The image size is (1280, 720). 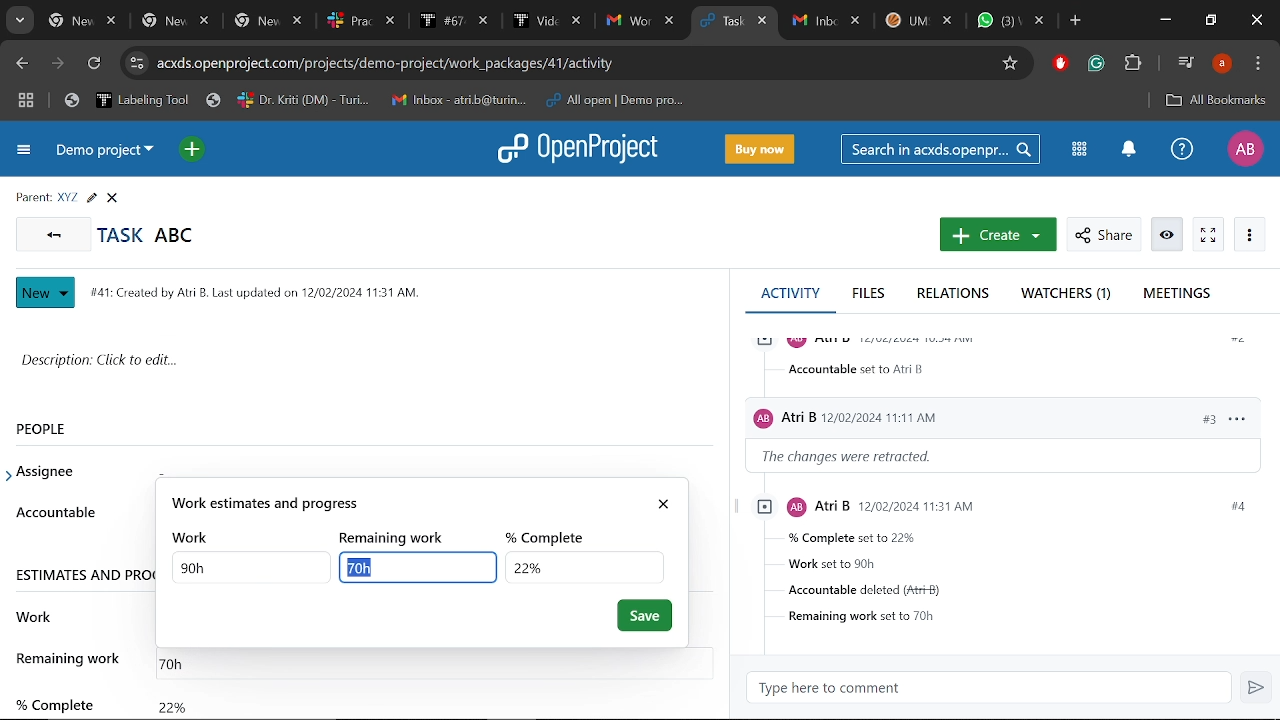 What do you see at coordinates (725, 436) in the screenshot?
I see `scrollbar` at bounding box center [725, 436].